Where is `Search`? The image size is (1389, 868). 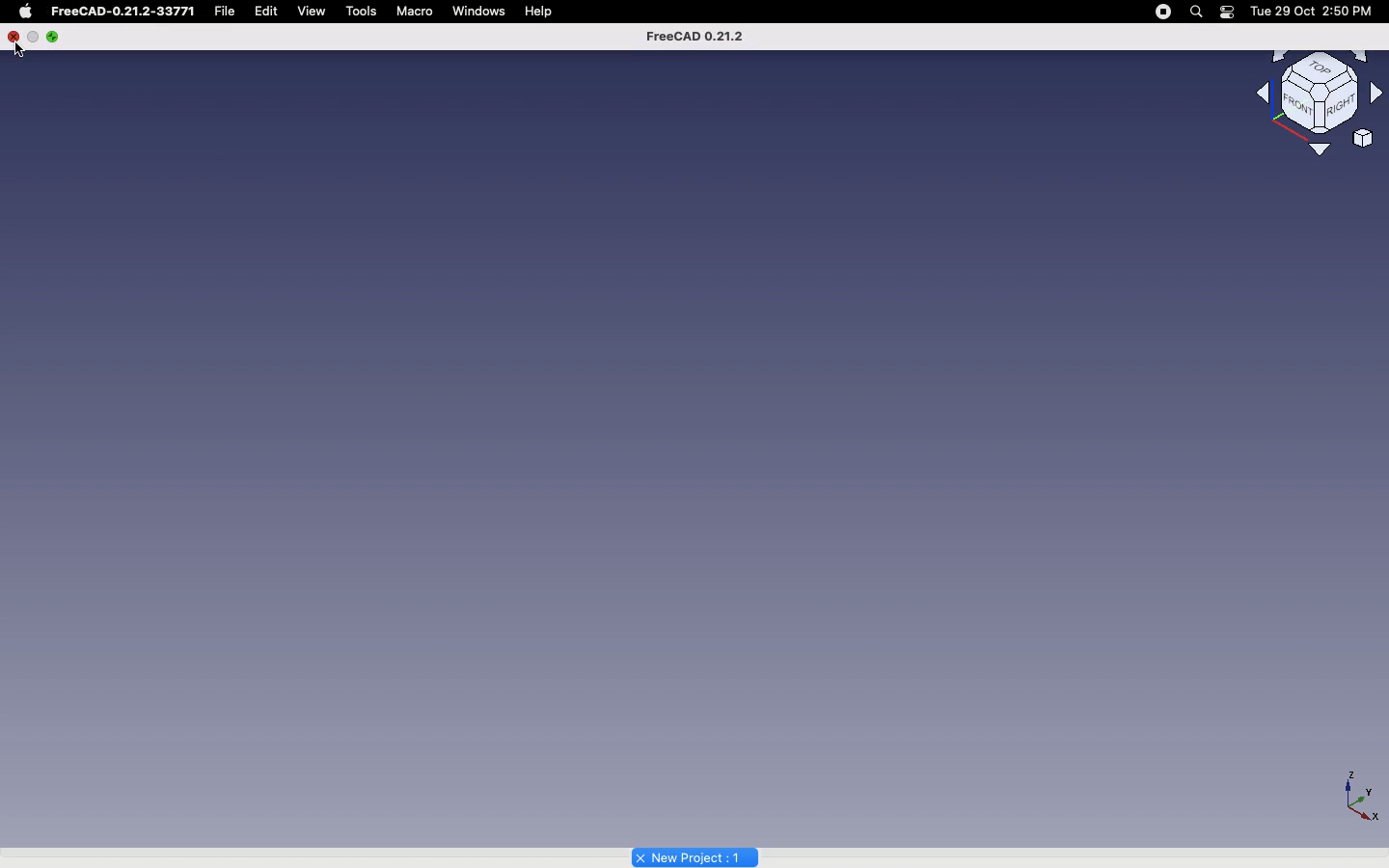 Search is located at coordinates (1197, 11).